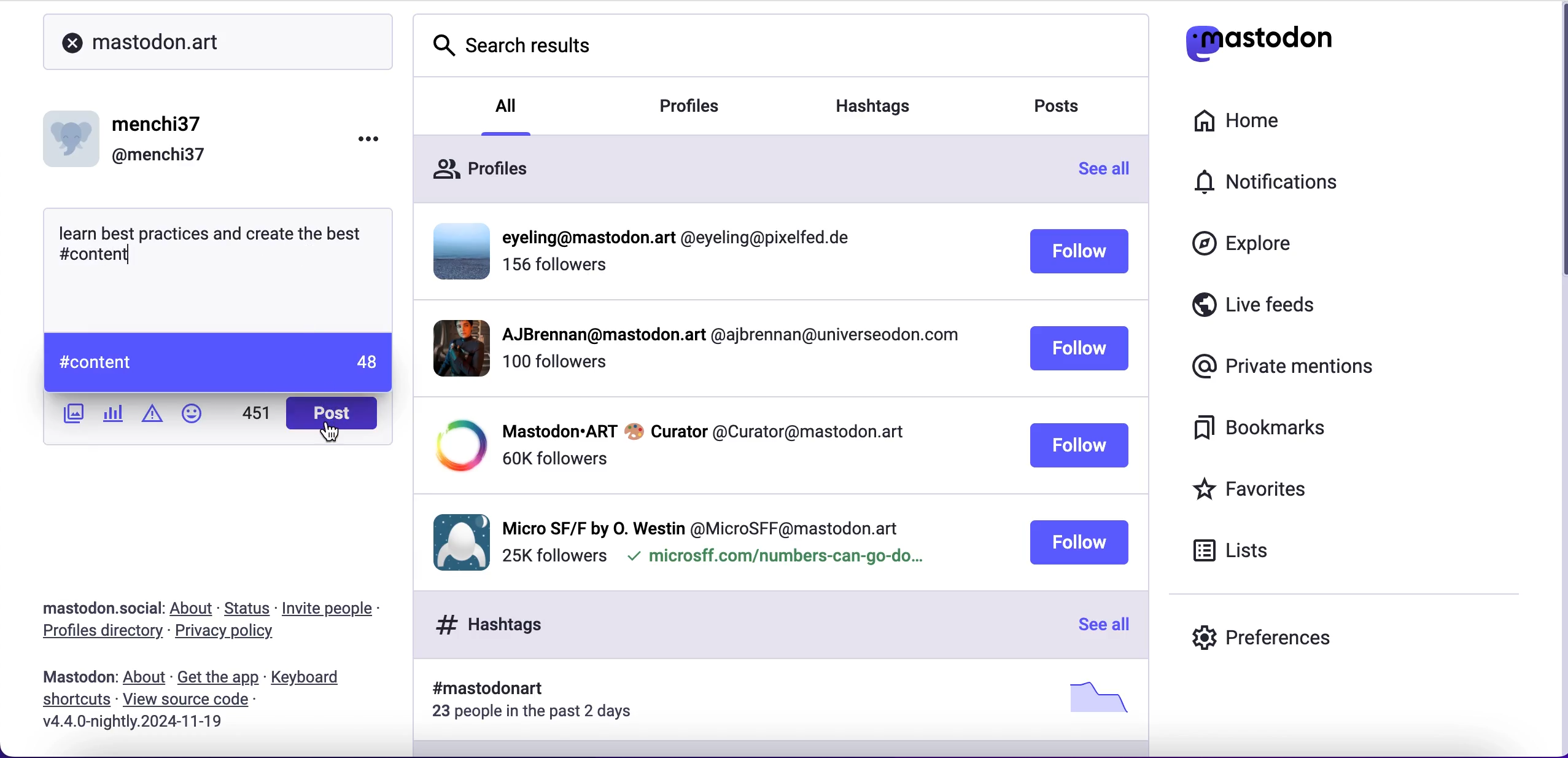  What do you see at coordinates (332, 436) in the screenshot?
I see `cursor` at bounding box center [332, 436].